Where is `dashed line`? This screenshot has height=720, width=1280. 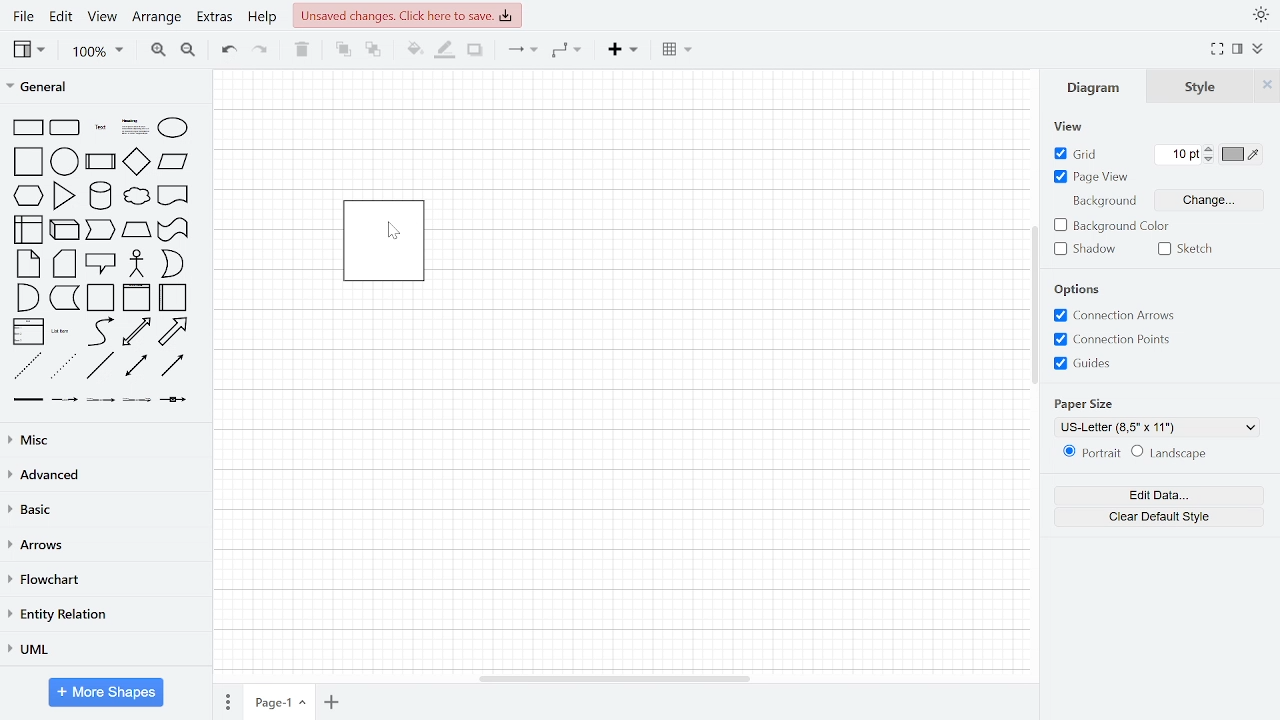 dashed line is located at coordinates (23, 366).